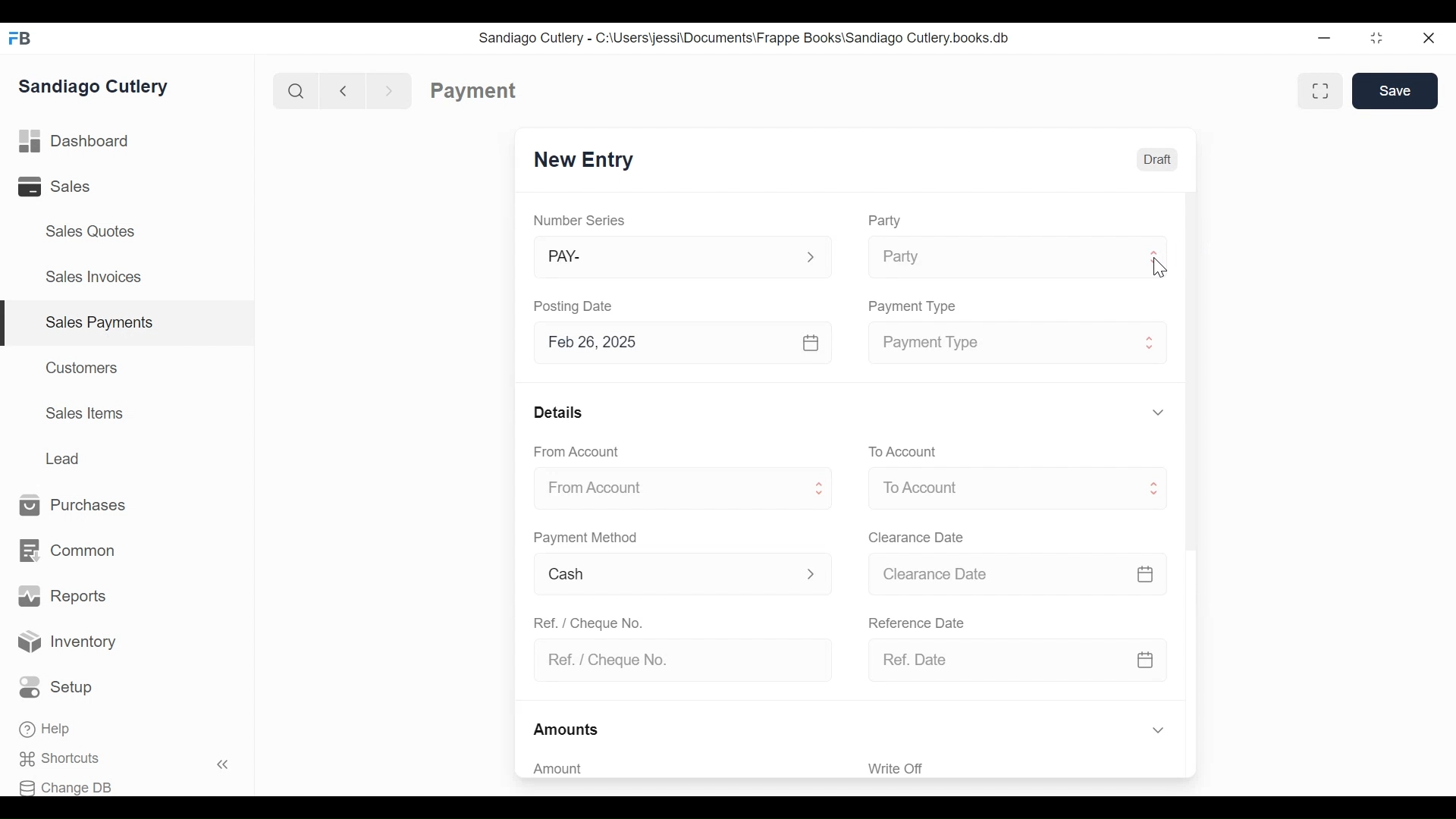 The image size is (1456, 819). What do you see at coordinates (584, 161) in the screenshot?
I see `New Entry` at bounding box center [584, 161].